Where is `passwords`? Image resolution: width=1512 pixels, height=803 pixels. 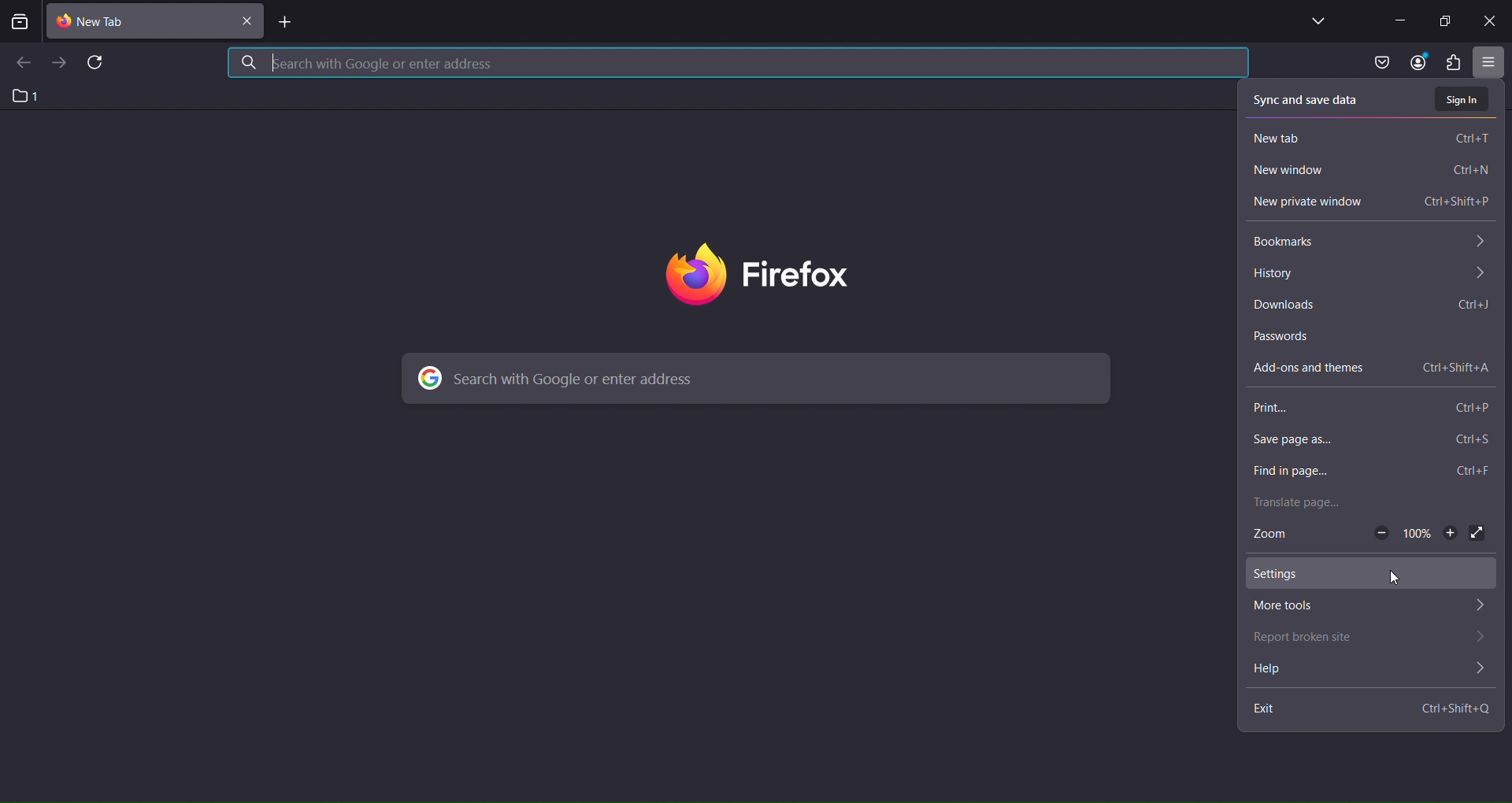
passwords is located at coordinates (1369, 334).